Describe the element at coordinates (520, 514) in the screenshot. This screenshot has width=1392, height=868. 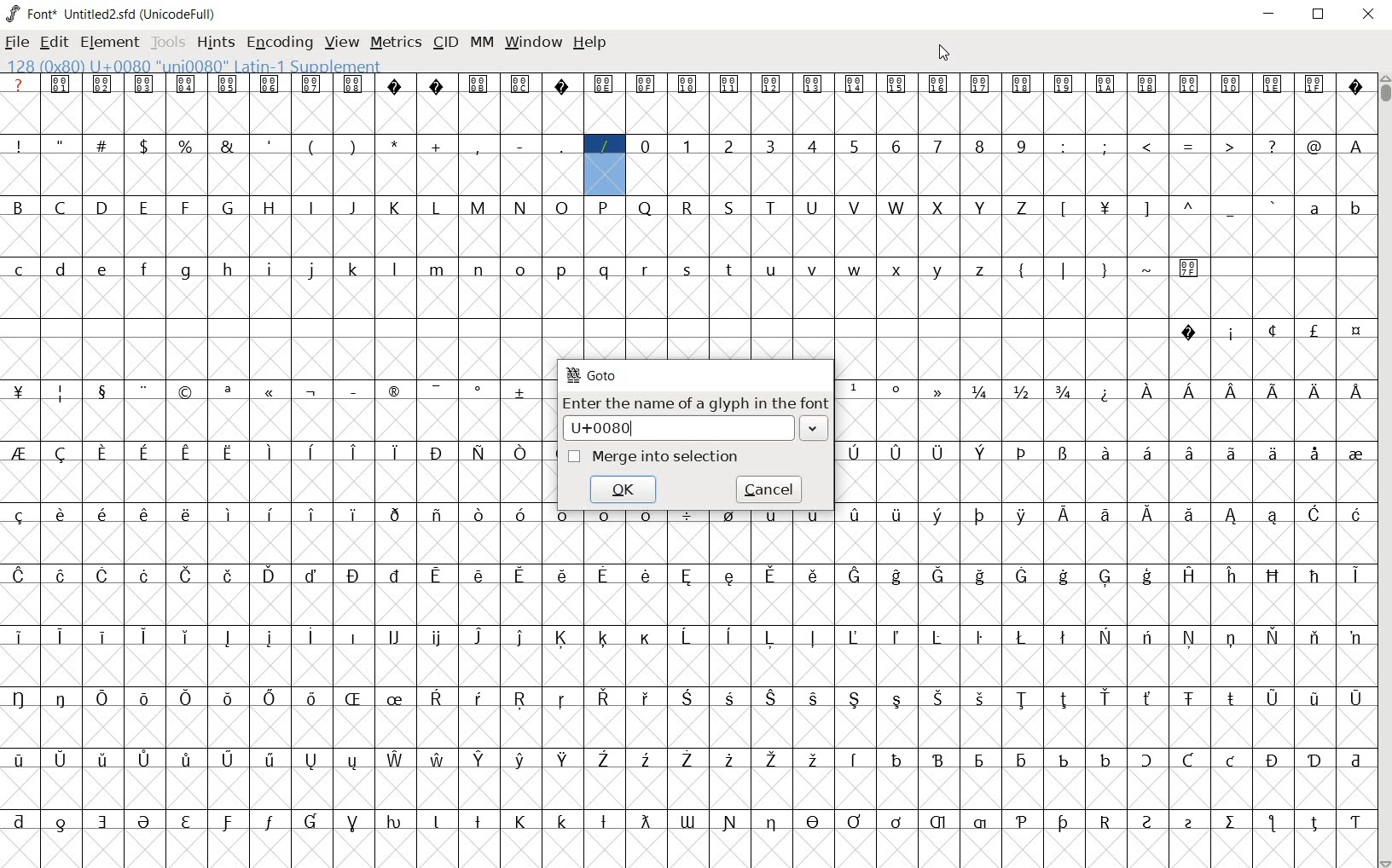
I see `glyph` at that location.